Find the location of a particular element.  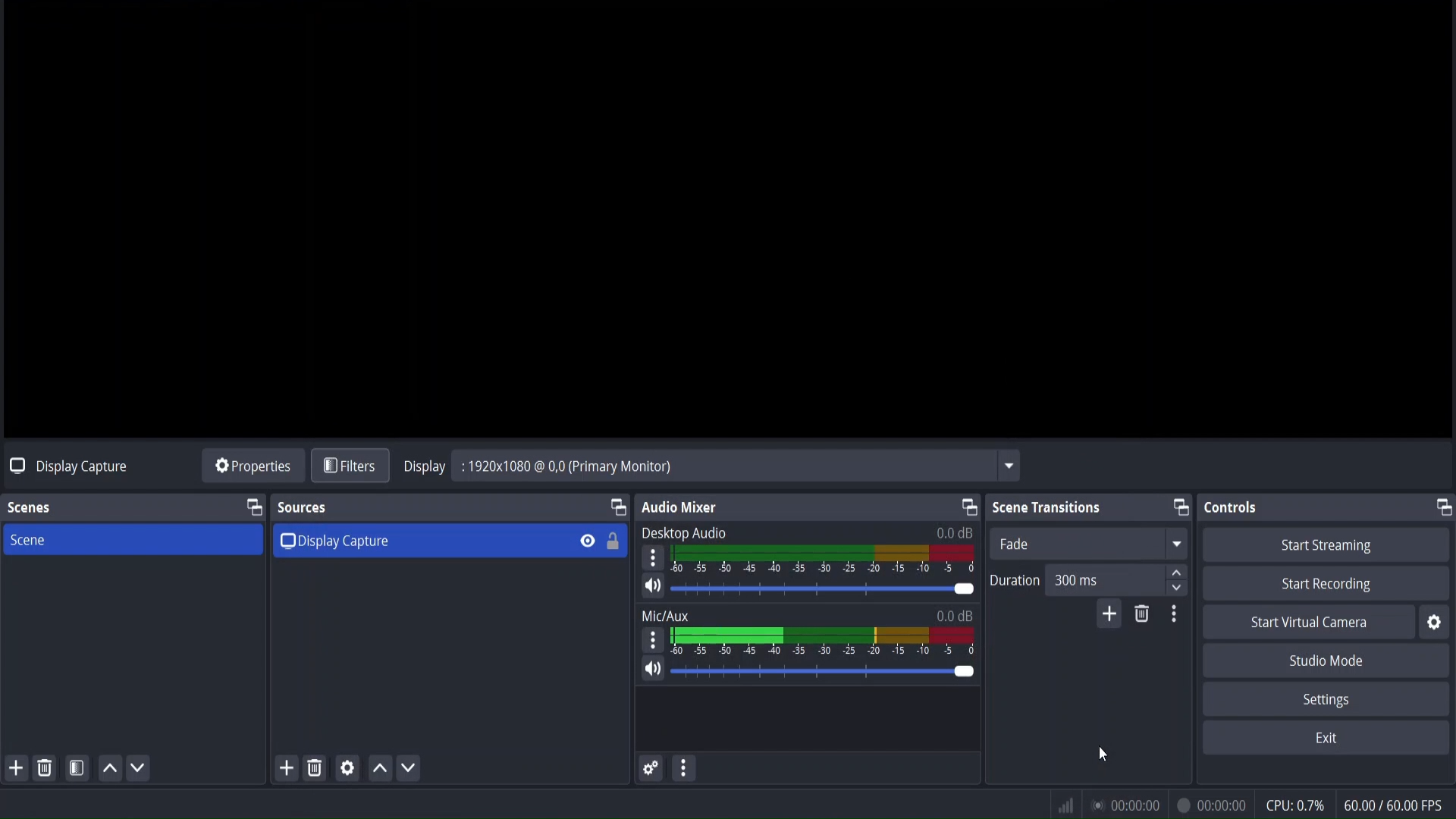

controls is located at coordinates (1234, 507).